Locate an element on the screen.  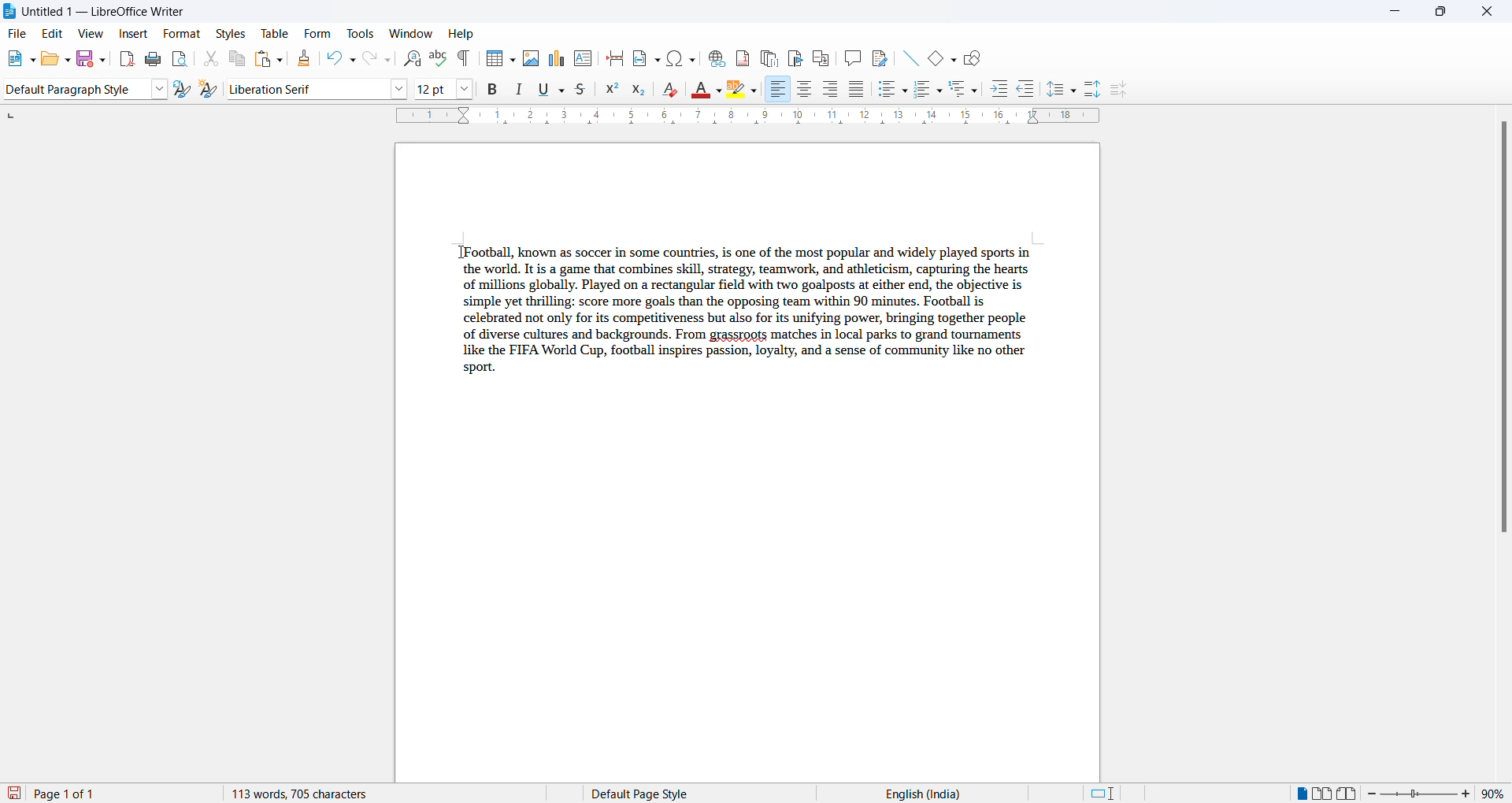
form is located at coordinates (317, 32).